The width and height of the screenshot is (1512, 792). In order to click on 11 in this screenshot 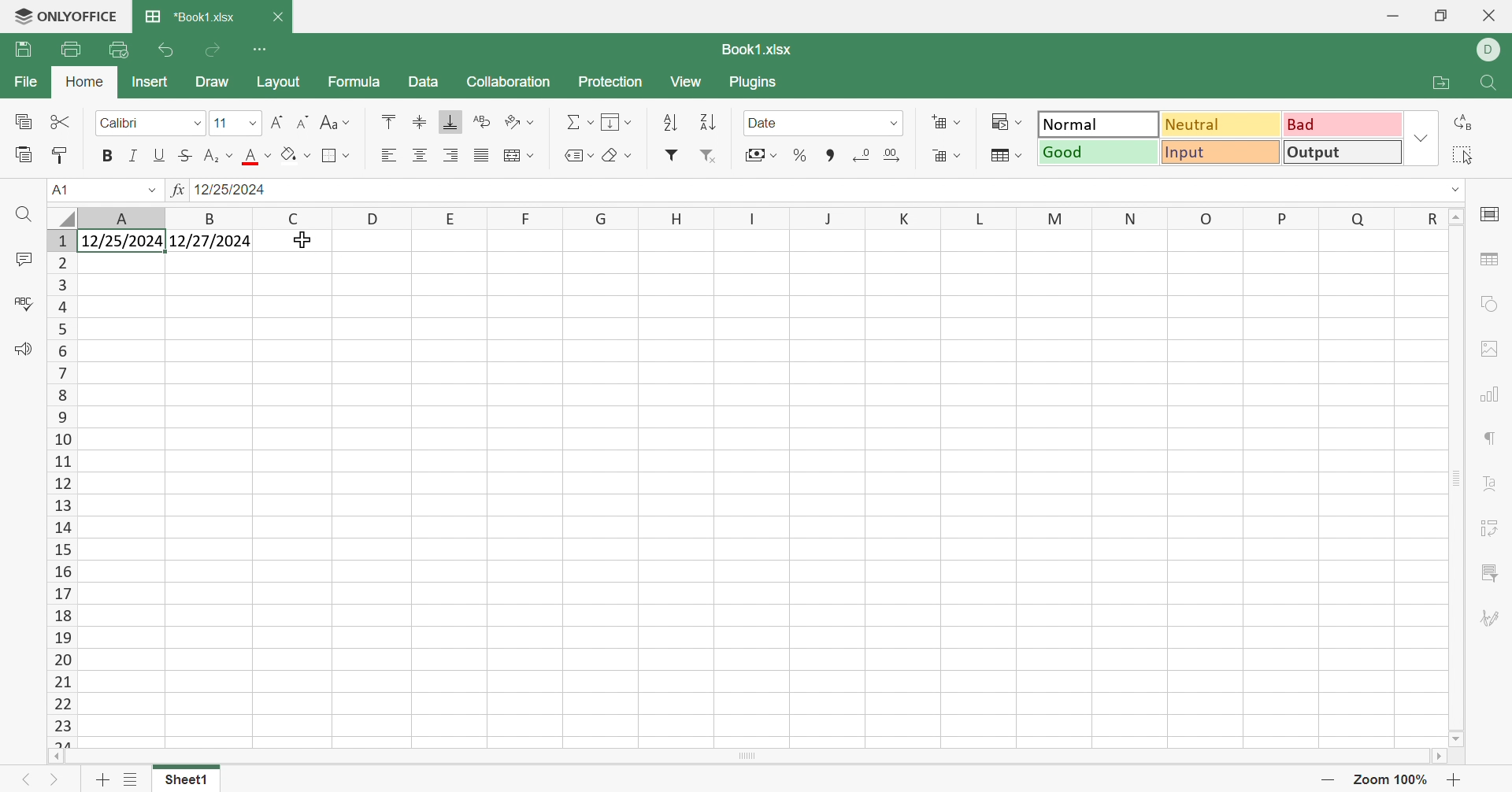, I will do `click(220, 123)`.